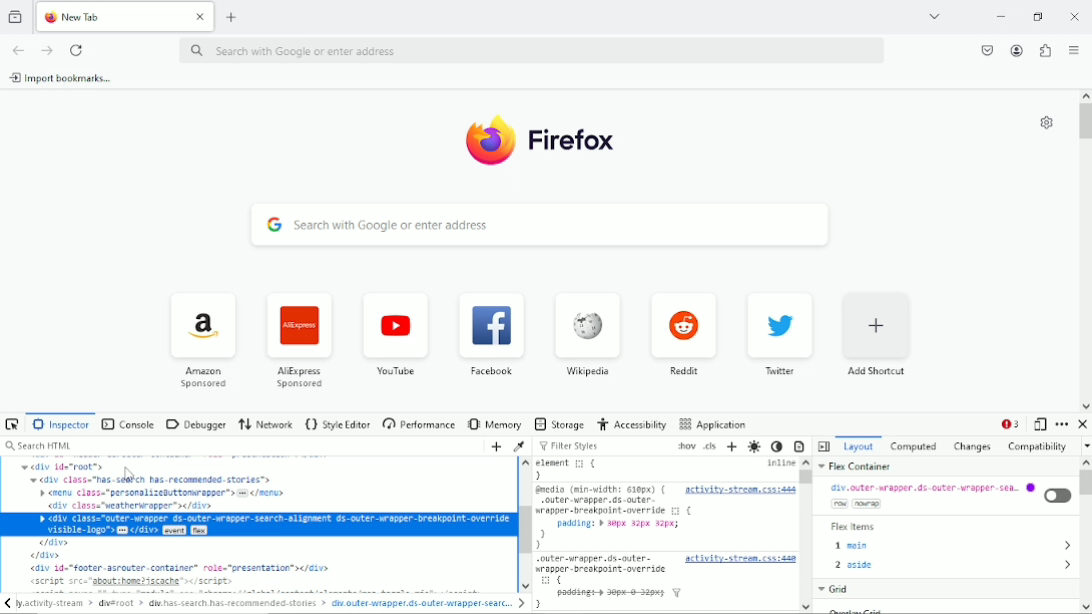  I want to click on 1 main, so click(953, 547).